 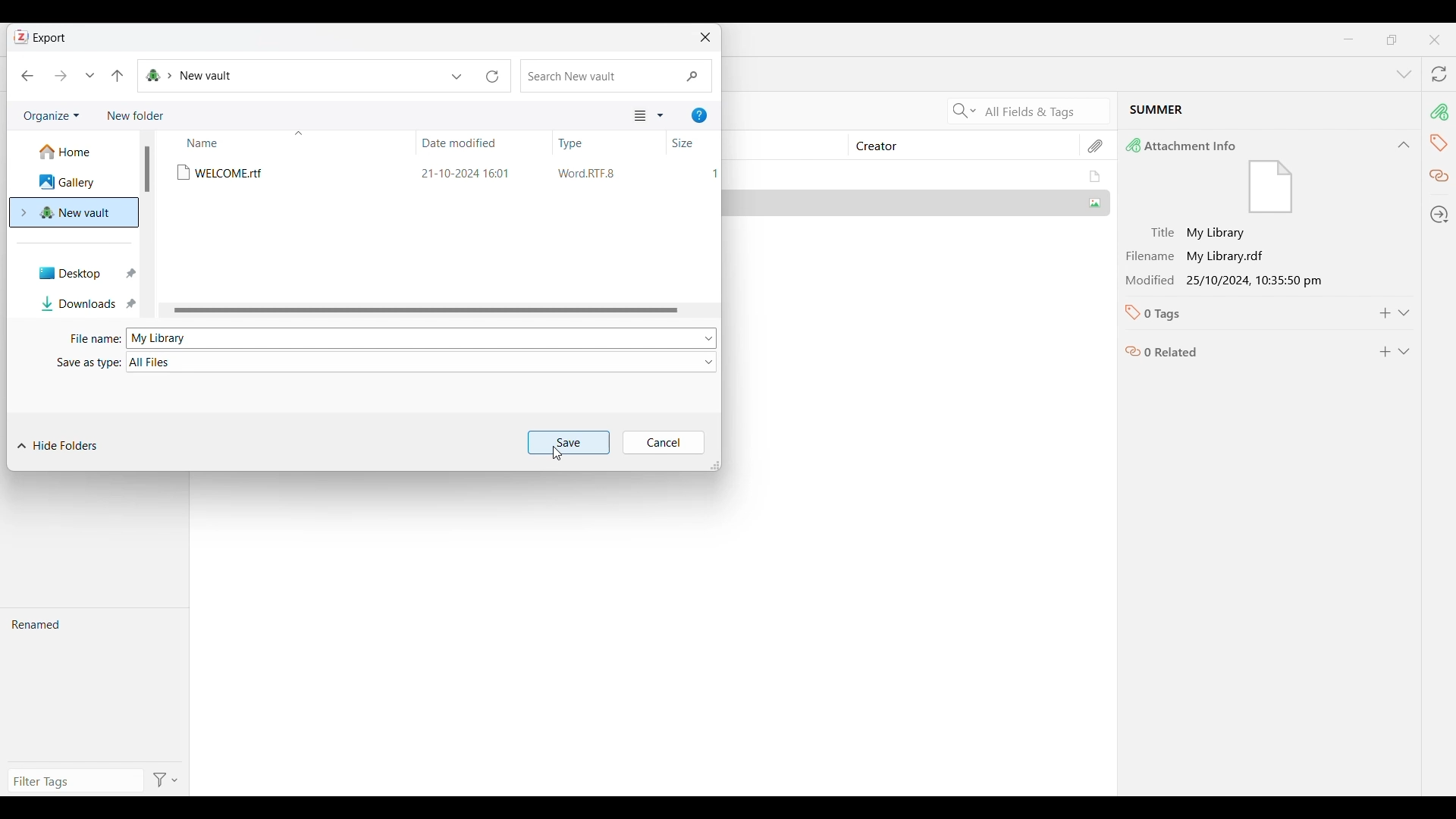 What do you see at coordinates (569, 173) in the screenshot?
I see `21-10-2024 16:01 WordRTFB` at bounding box center [569, 173].